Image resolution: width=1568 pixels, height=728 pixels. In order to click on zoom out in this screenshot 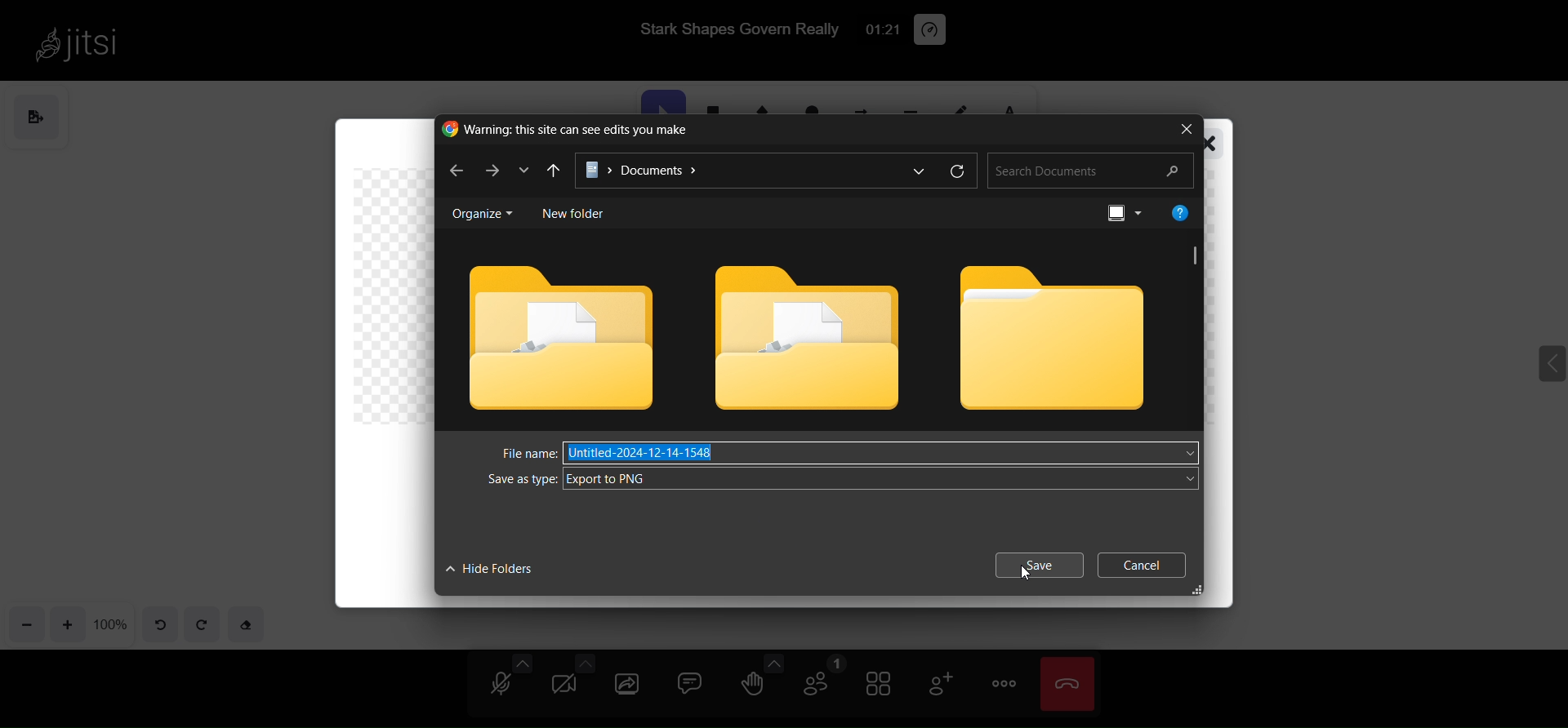, I will do `click(25, 625)`.